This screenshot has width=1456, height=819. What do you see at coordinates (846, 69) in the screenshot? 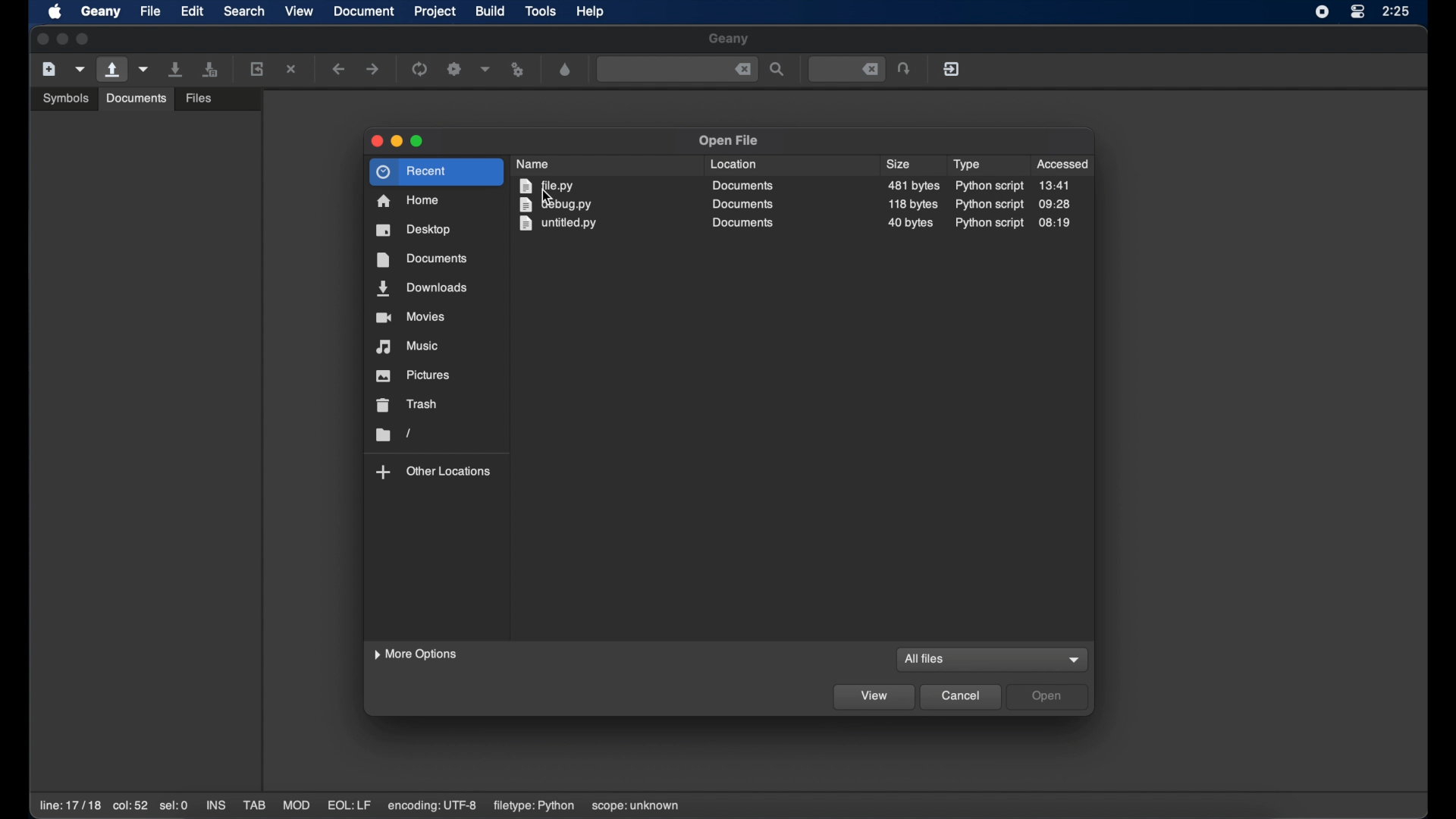
I see `jump to the entered line number` at bounding box center [846, 69].